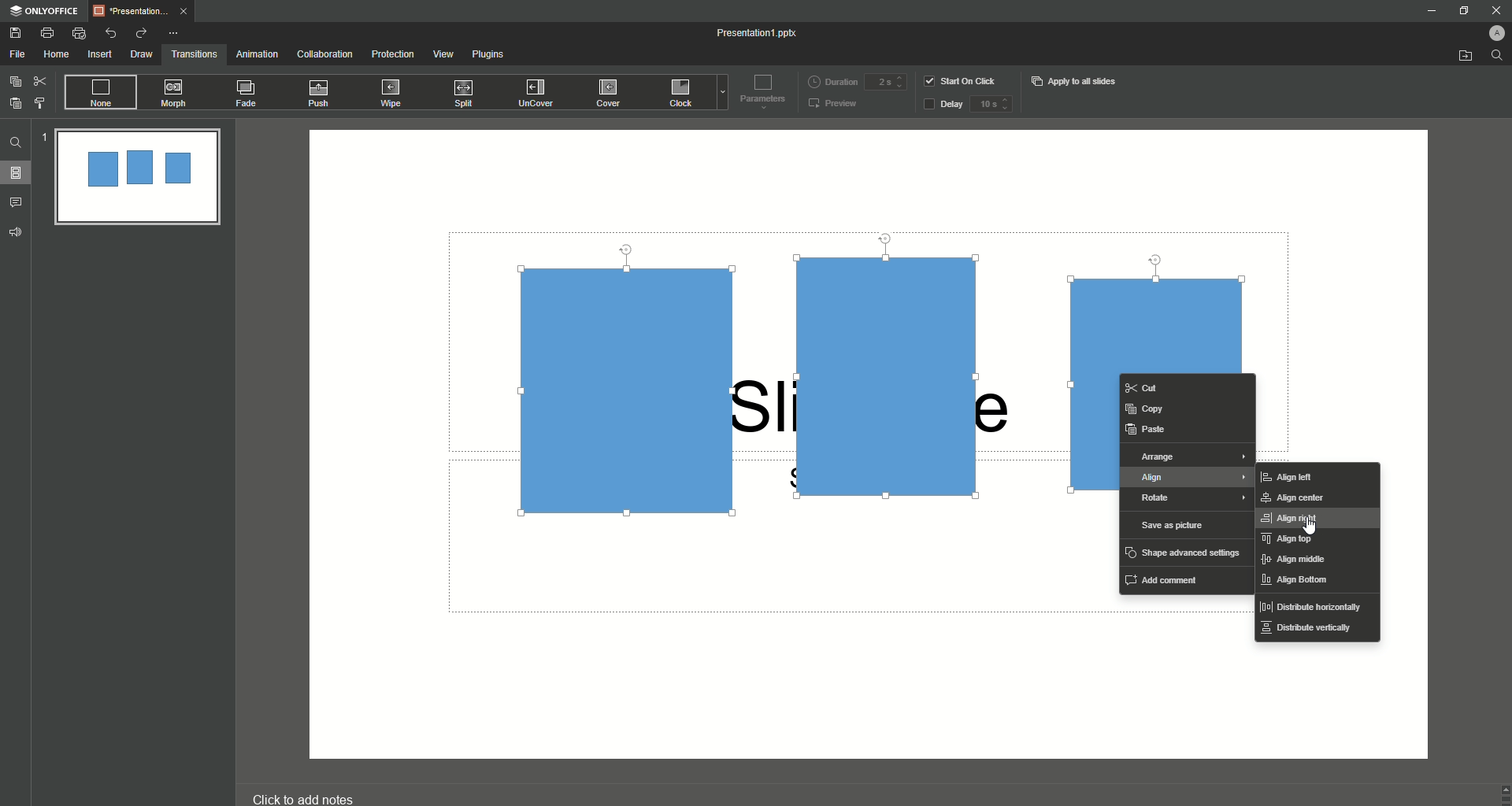  Describe the element at coordinates (391, 92) in the screenshot. I see `Wipe` at that location.